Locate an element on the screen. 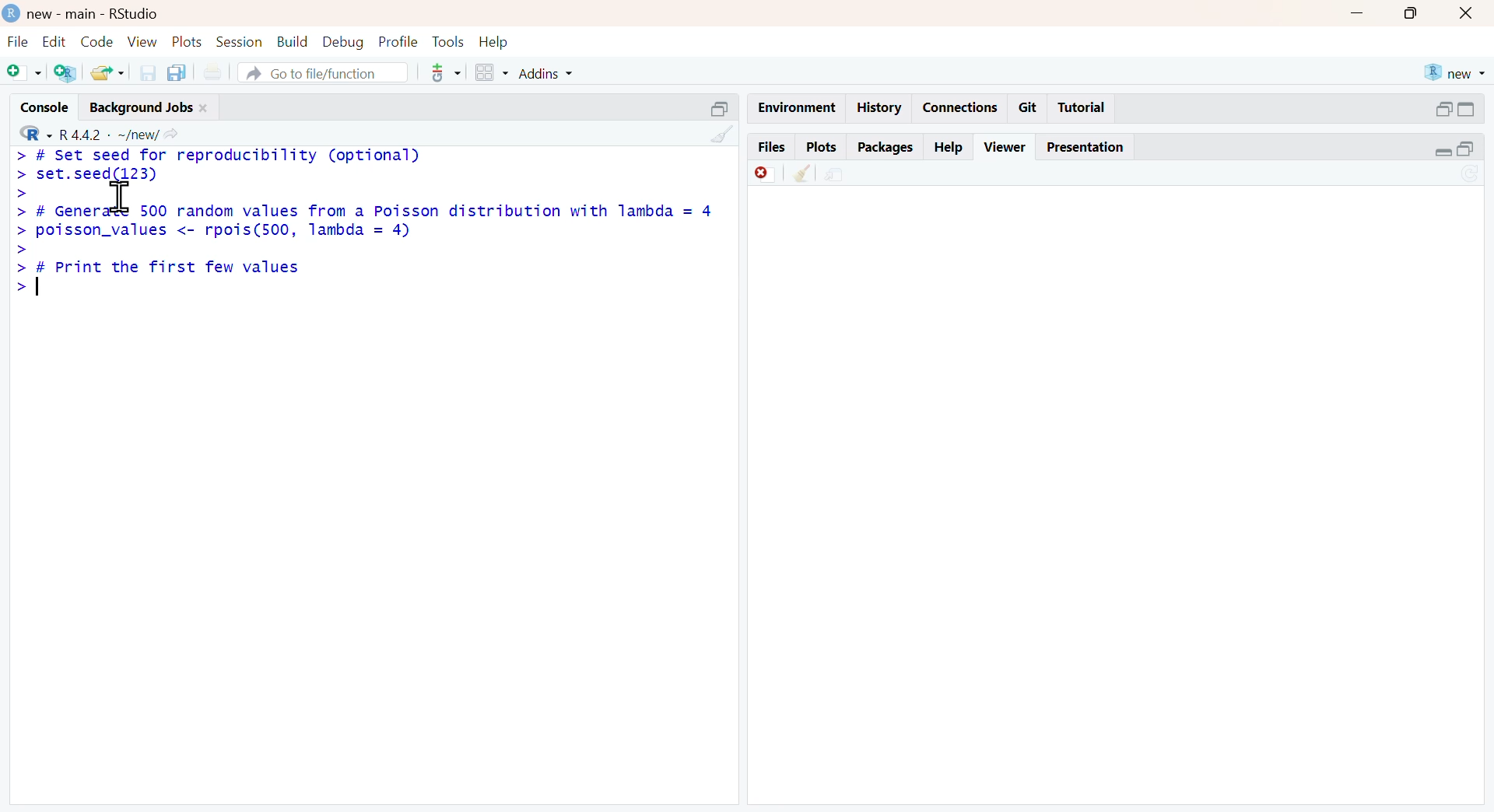 The width and height of the screenshot is (1494, 812). new is located at coordinates (1456, 74).